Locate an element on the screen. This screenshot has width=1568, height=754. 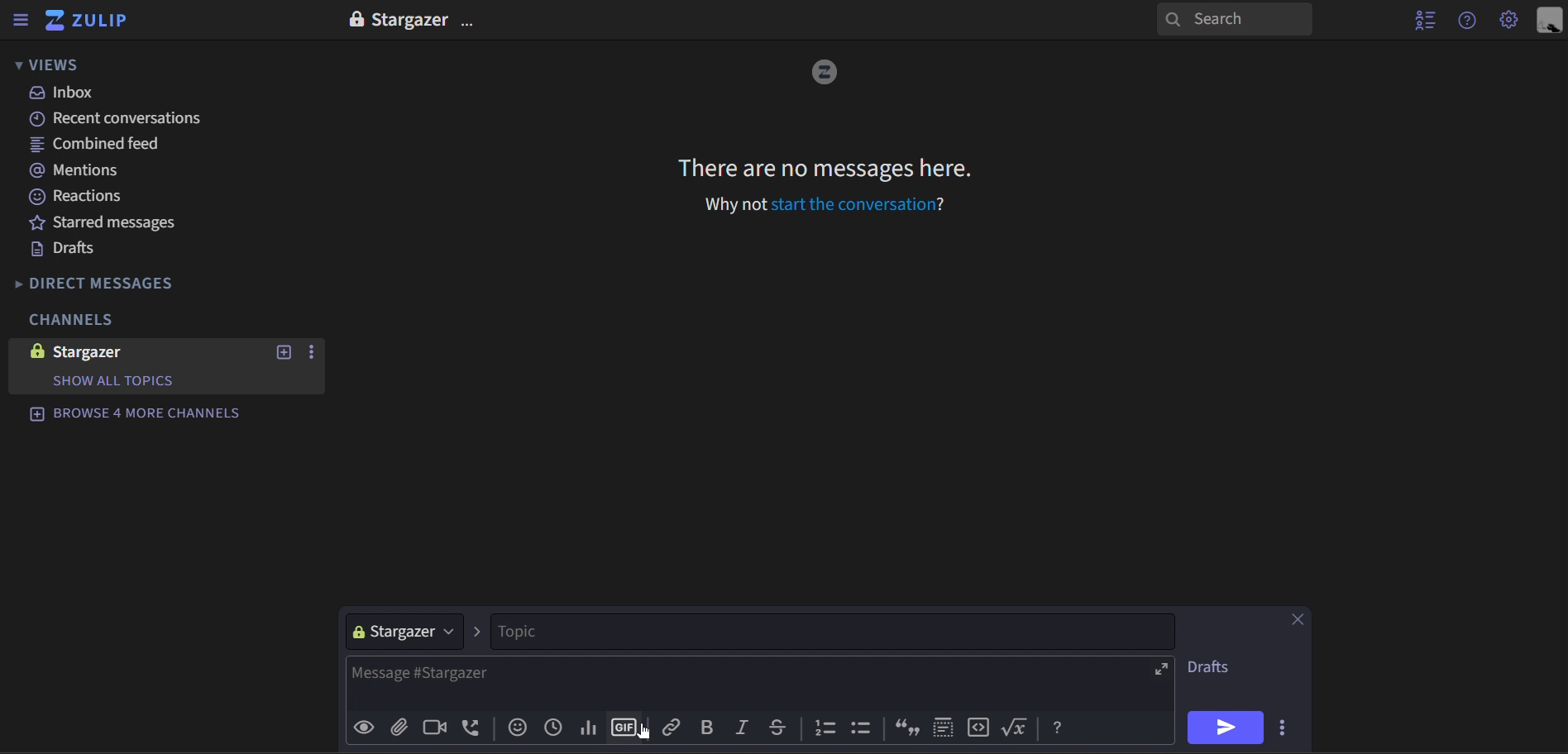
cursor is located at coordinates (642, 734).